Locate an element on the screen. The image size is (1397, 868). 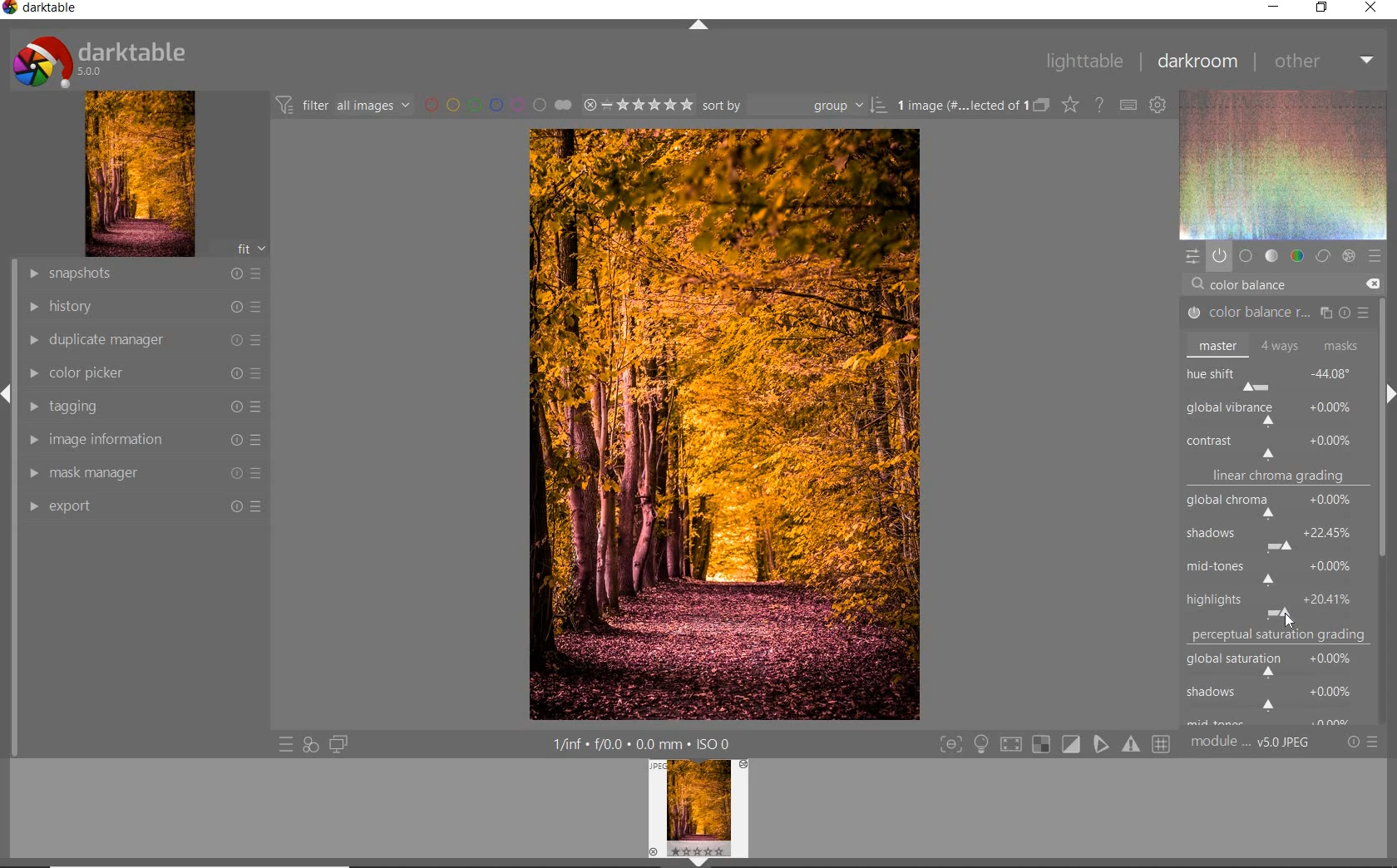
change type of overlay is located at coordinates (1069, 106).